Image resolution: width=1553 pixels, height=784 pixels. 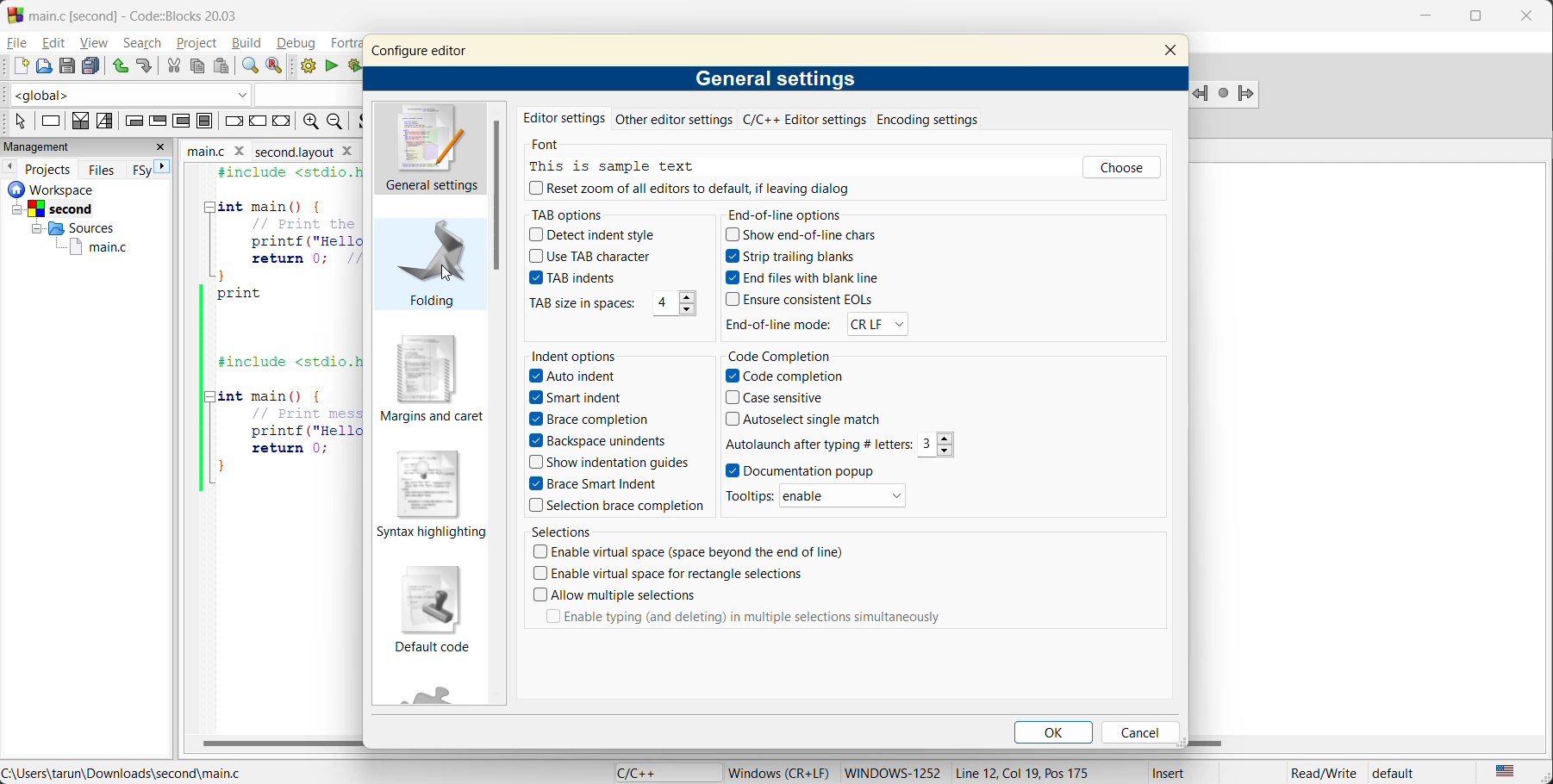 I want to click on cut, so click(x=173, y=65).